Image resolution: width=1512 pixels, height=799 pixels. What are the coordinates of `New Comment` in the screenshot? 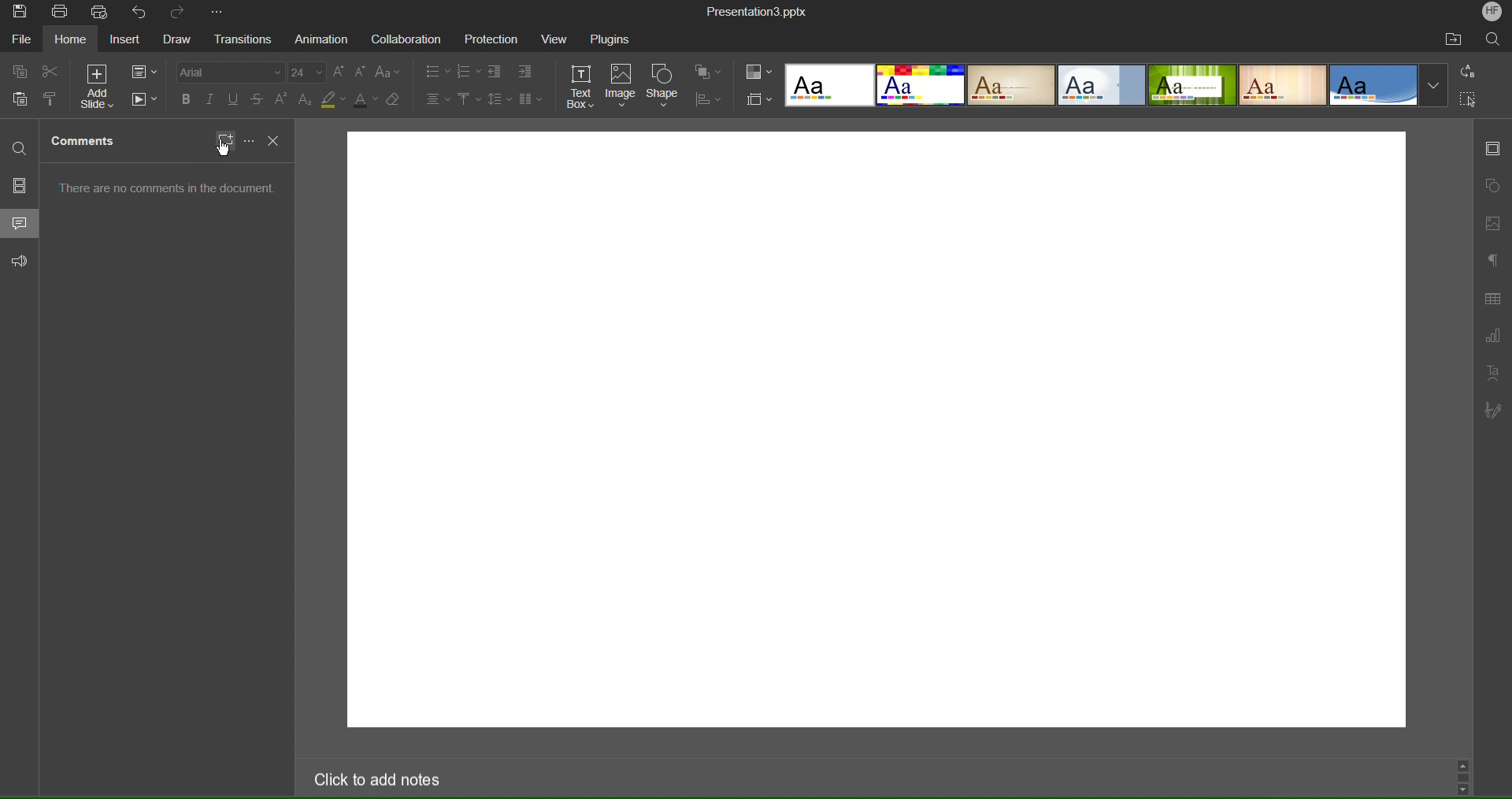 It's located at (223, 140).